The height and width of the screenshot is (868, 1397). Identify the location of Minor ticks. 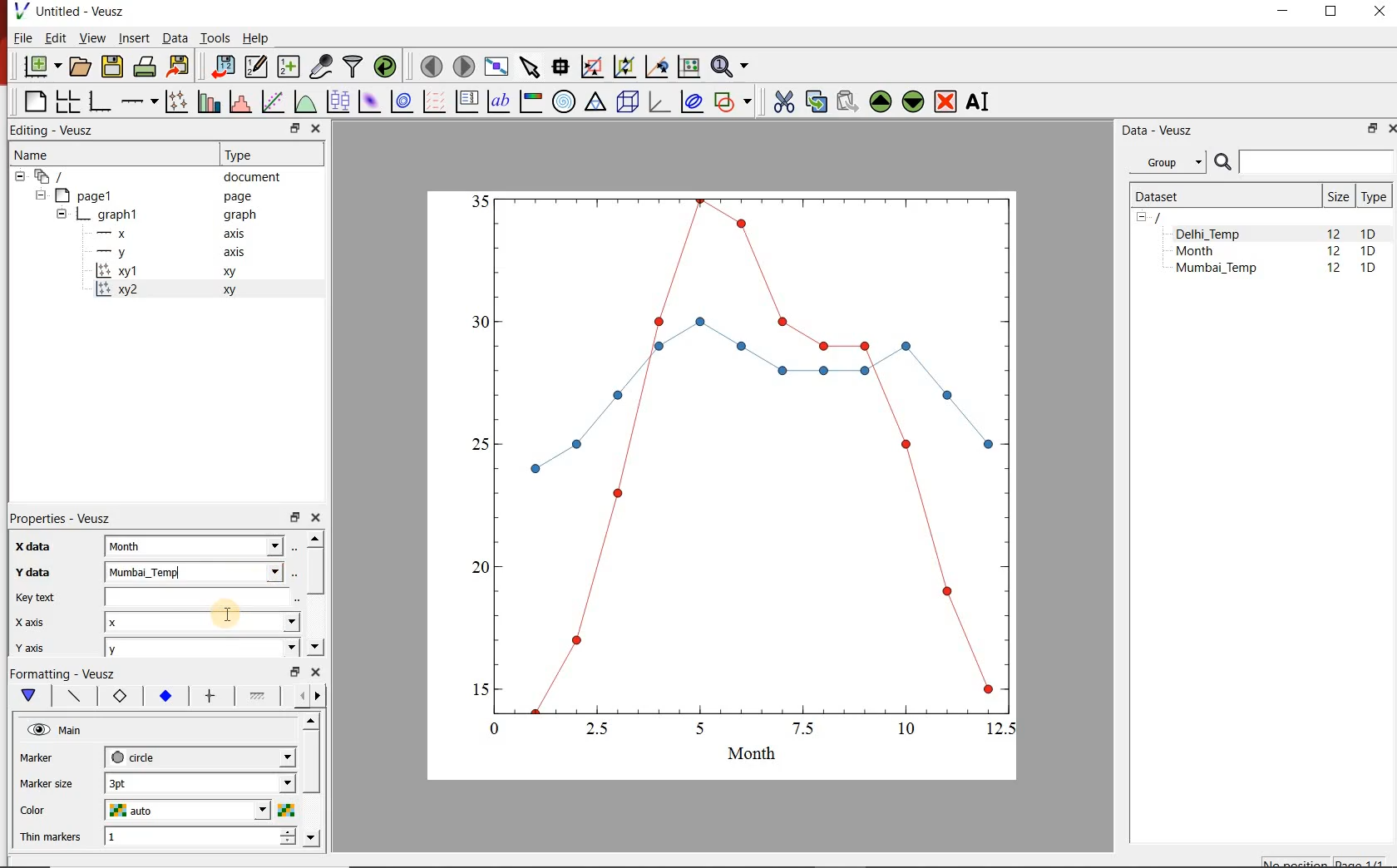
(259, 696).